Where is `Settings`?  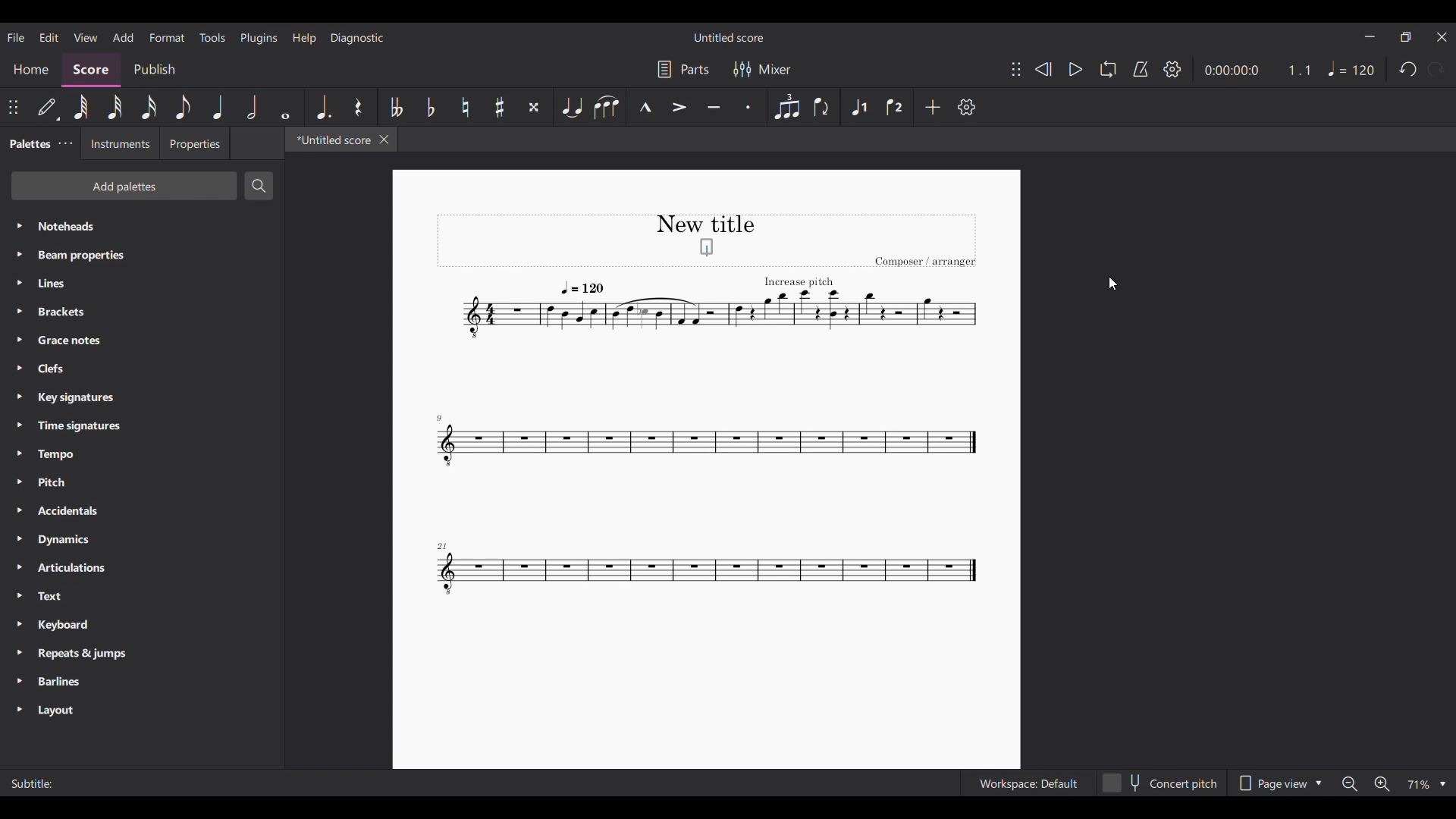 Settings is located at coordinates (966, 107).